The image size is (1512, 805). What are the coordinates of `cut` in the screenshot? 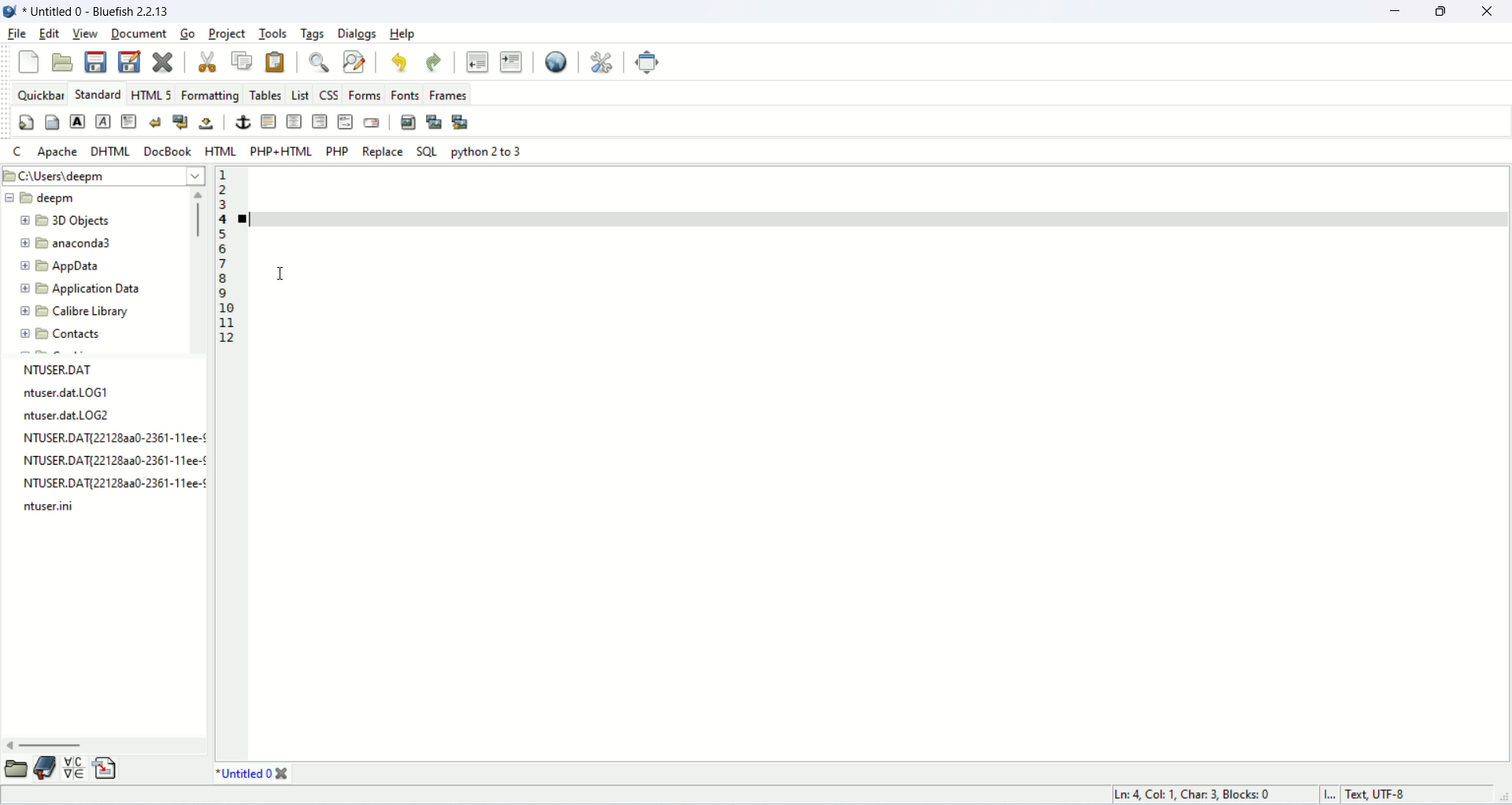 It's located at (206, 63).